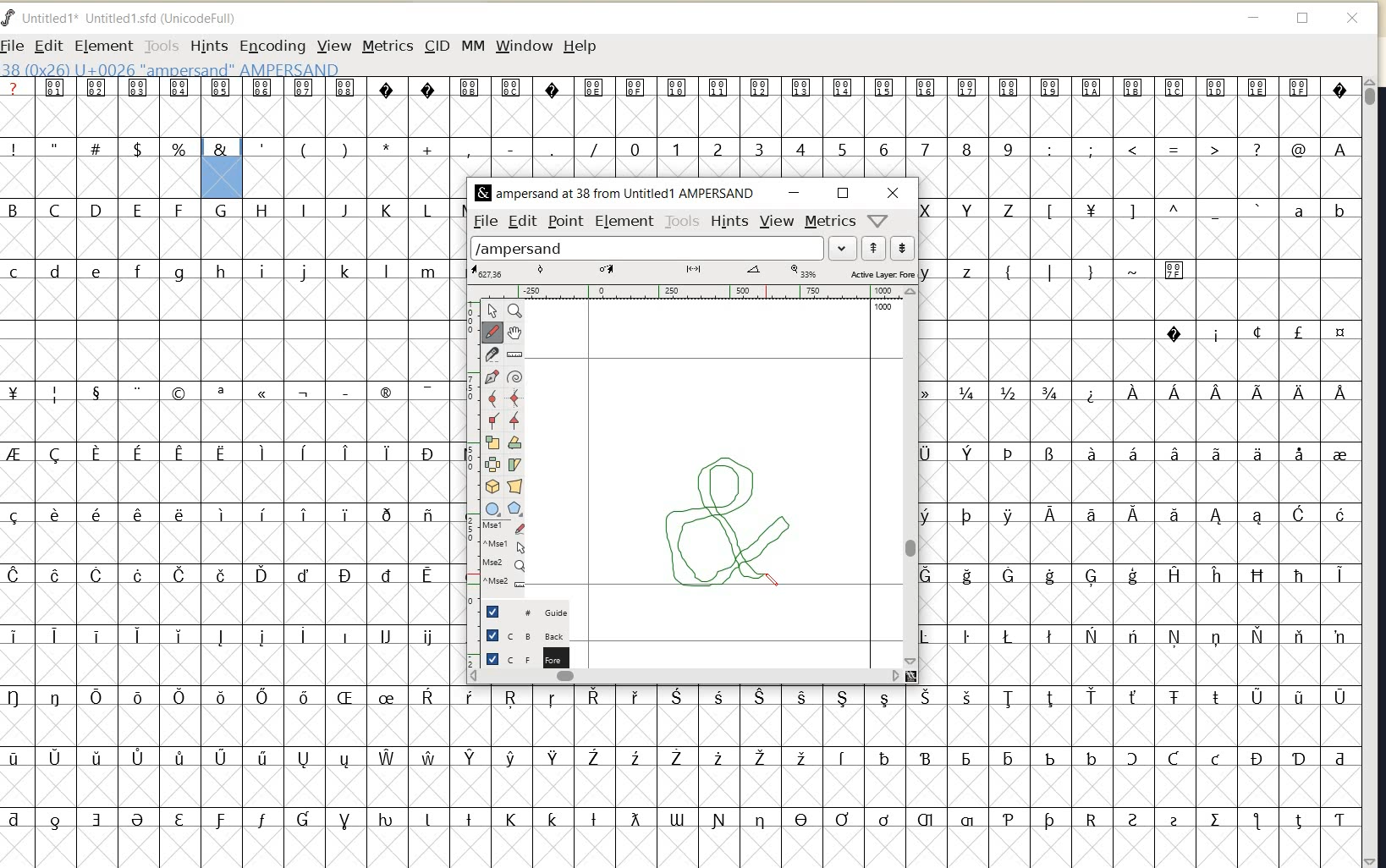 The image size is (1386, 868). I want to click on HINTS, so click(730, 222).